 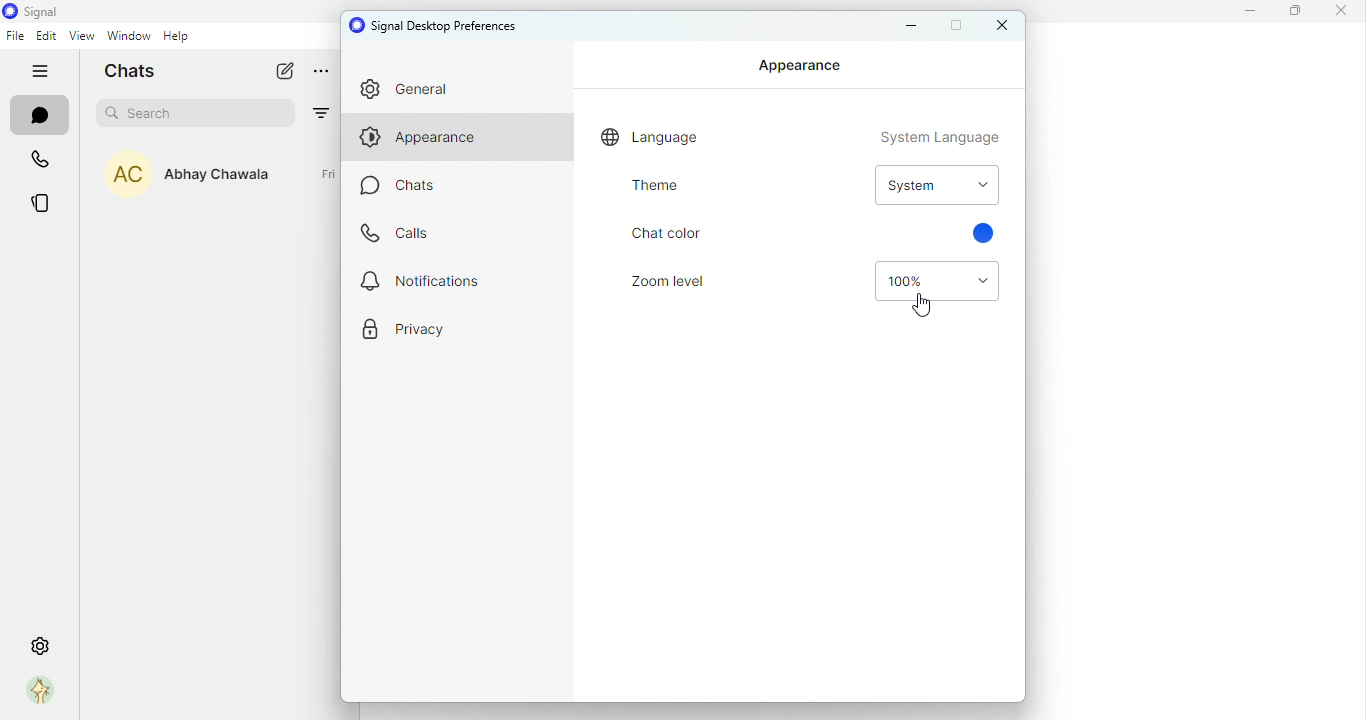 I want to click on settings, so click(x=40, y=645).